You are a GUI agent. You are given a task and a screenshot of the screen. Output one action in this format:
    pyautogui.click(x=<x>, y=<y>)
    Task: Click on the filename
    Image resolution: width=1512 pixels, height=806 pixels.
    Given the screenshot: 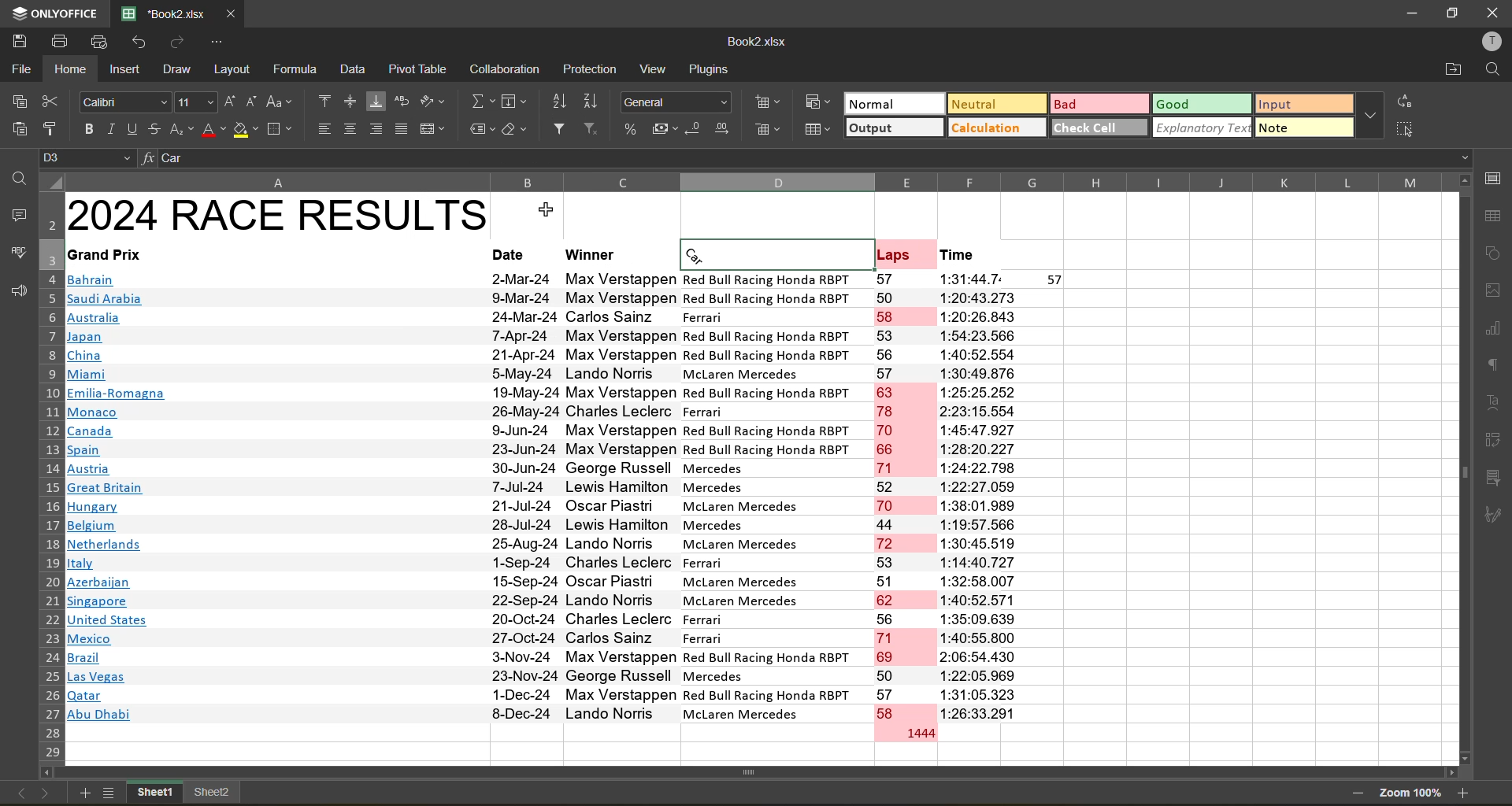 What is the action you would take?
    pyautogui.click(x=169, y=13)
    